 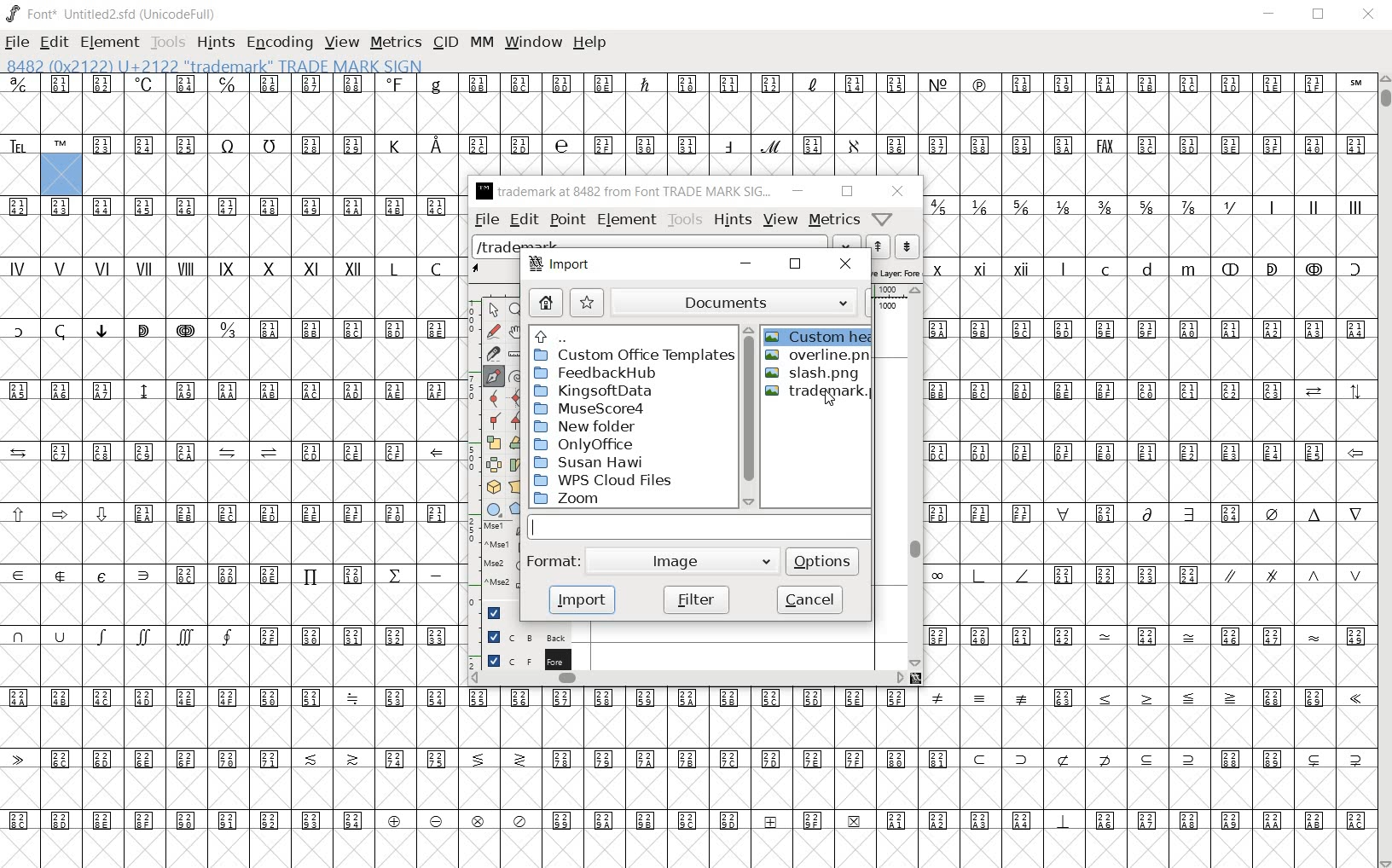 What do you see at coordinates (525, 220) in the screenshot?
I see `edit` at bounding box center [525, 220].